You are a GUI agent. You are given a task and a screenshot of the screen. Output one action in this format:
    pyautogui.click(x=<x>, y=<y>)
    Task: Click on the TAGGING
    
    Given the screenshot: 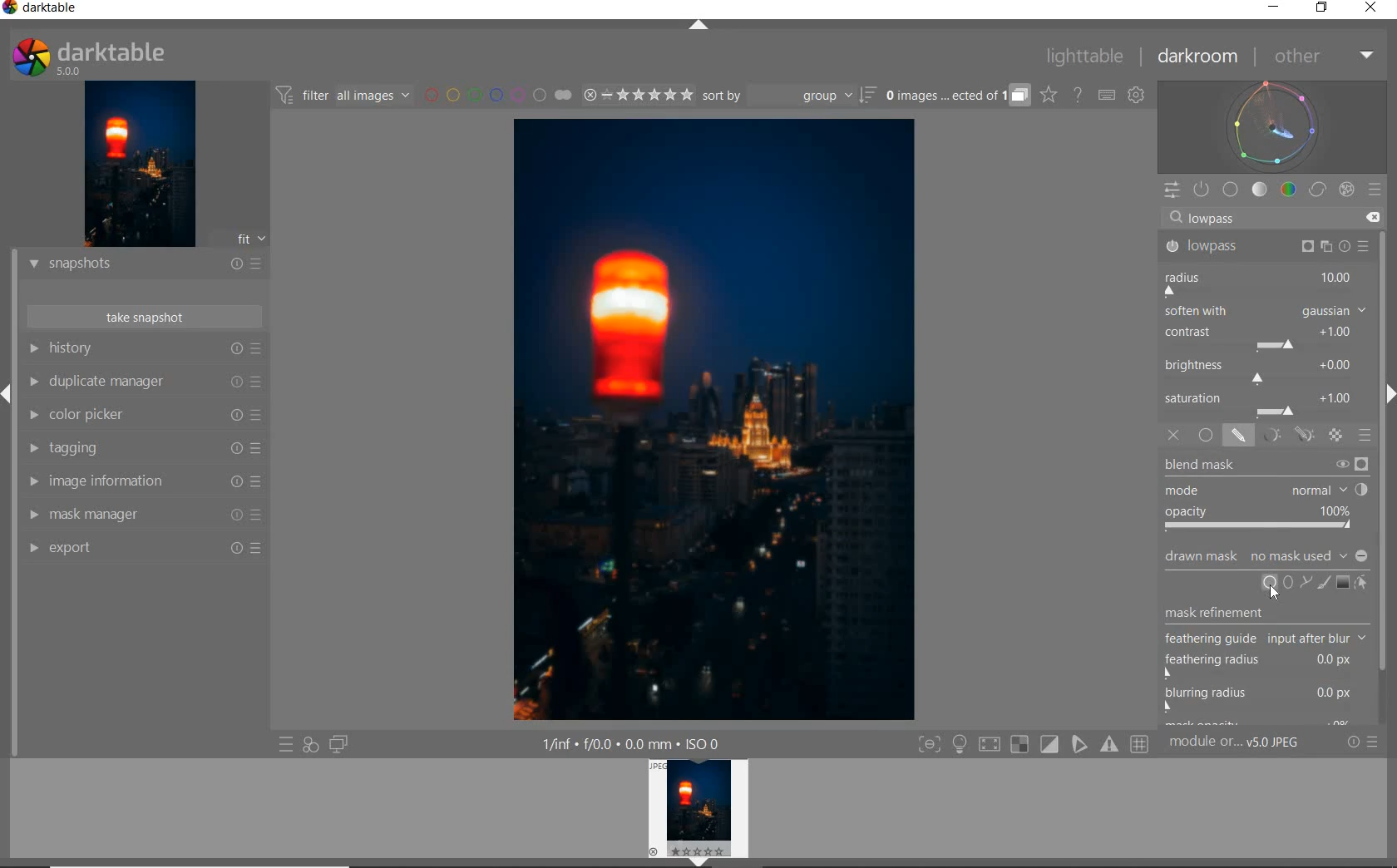 What is the action you would take?
    pyautogui.click(x=144, y=450)
    